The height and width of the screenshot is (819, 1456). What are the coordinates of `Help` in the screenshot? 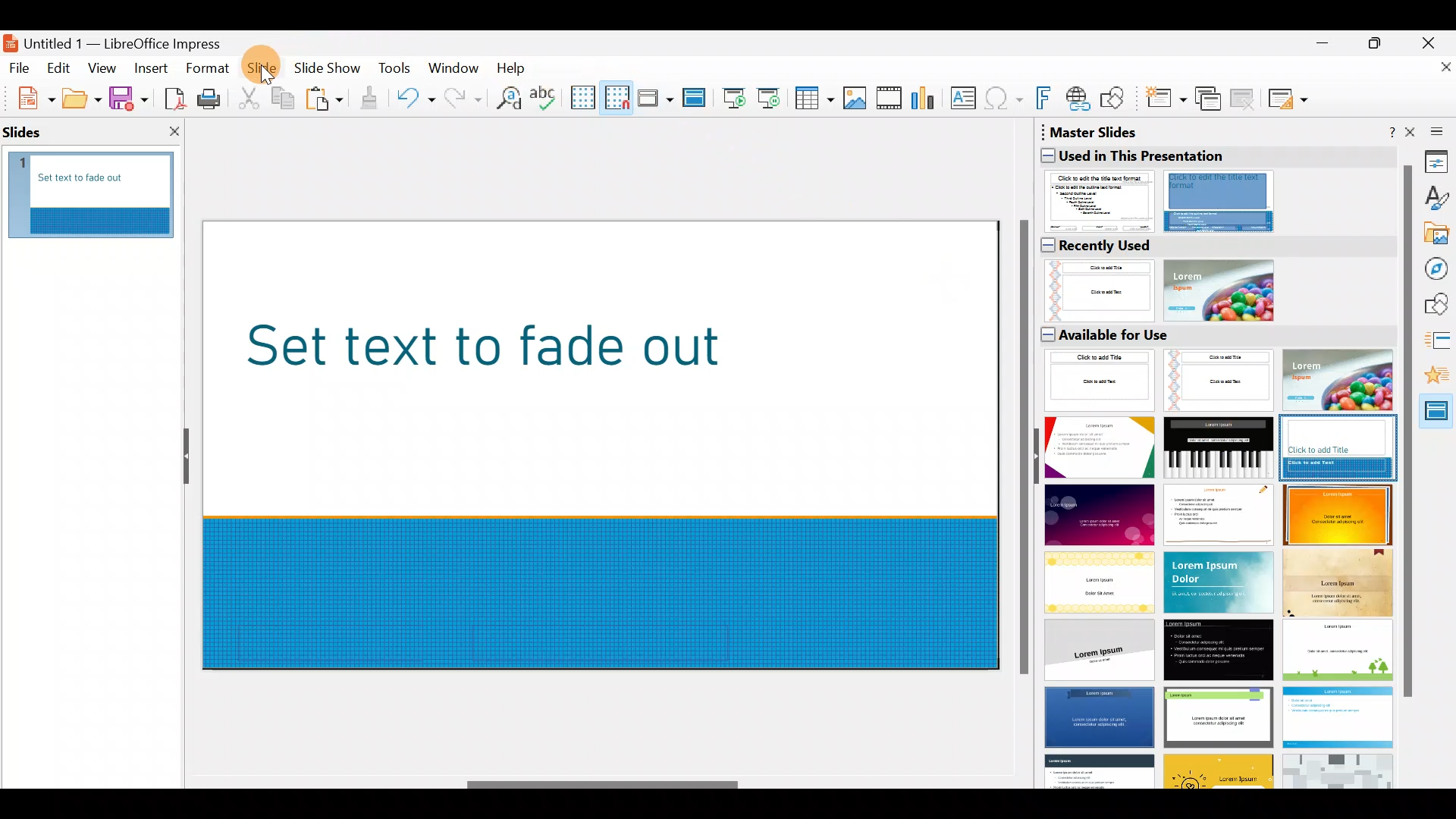 It's located at (514, 67).